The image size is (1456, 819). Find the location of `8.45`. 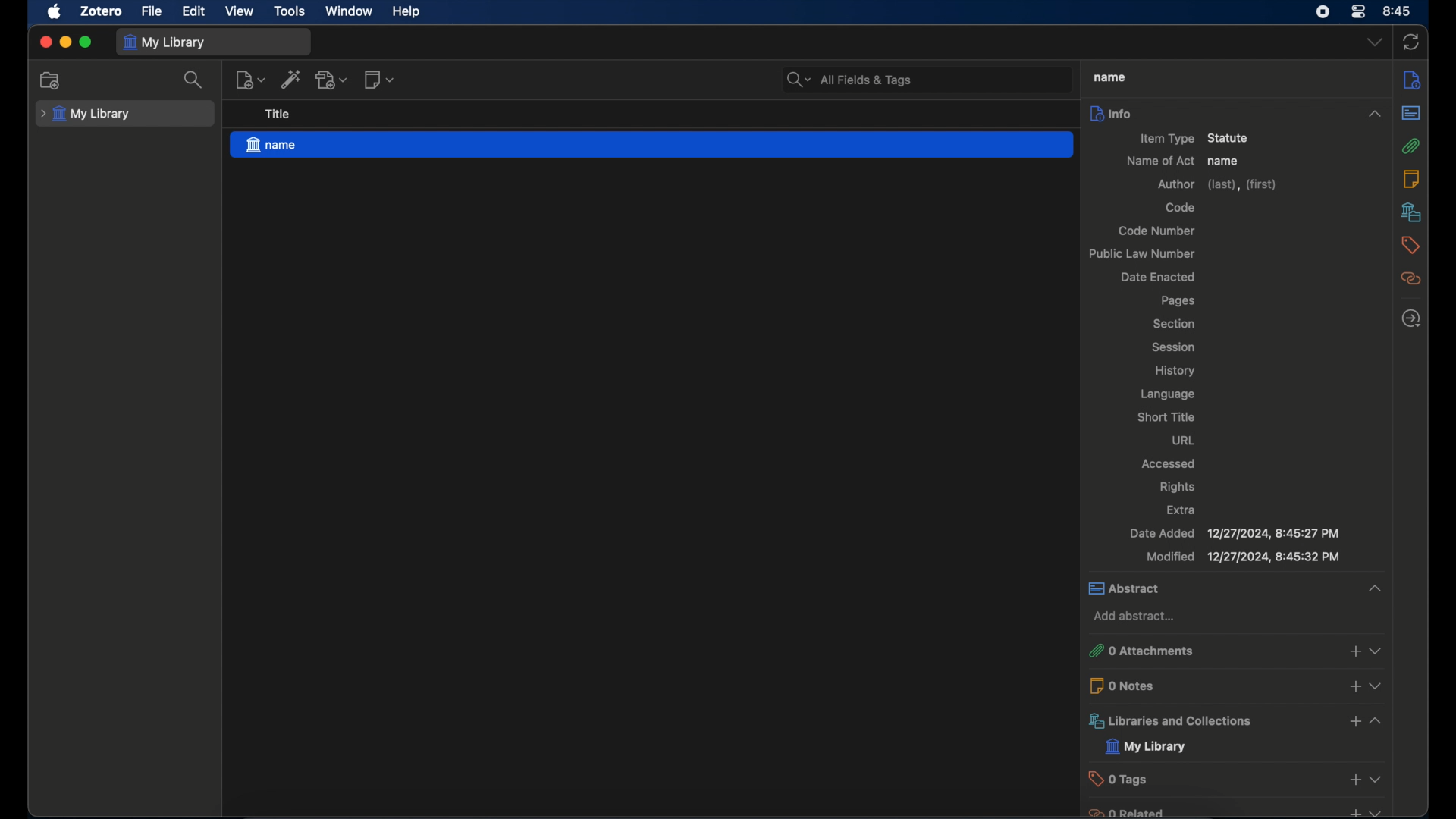

8.45 is located at coordinates (1398, 10).